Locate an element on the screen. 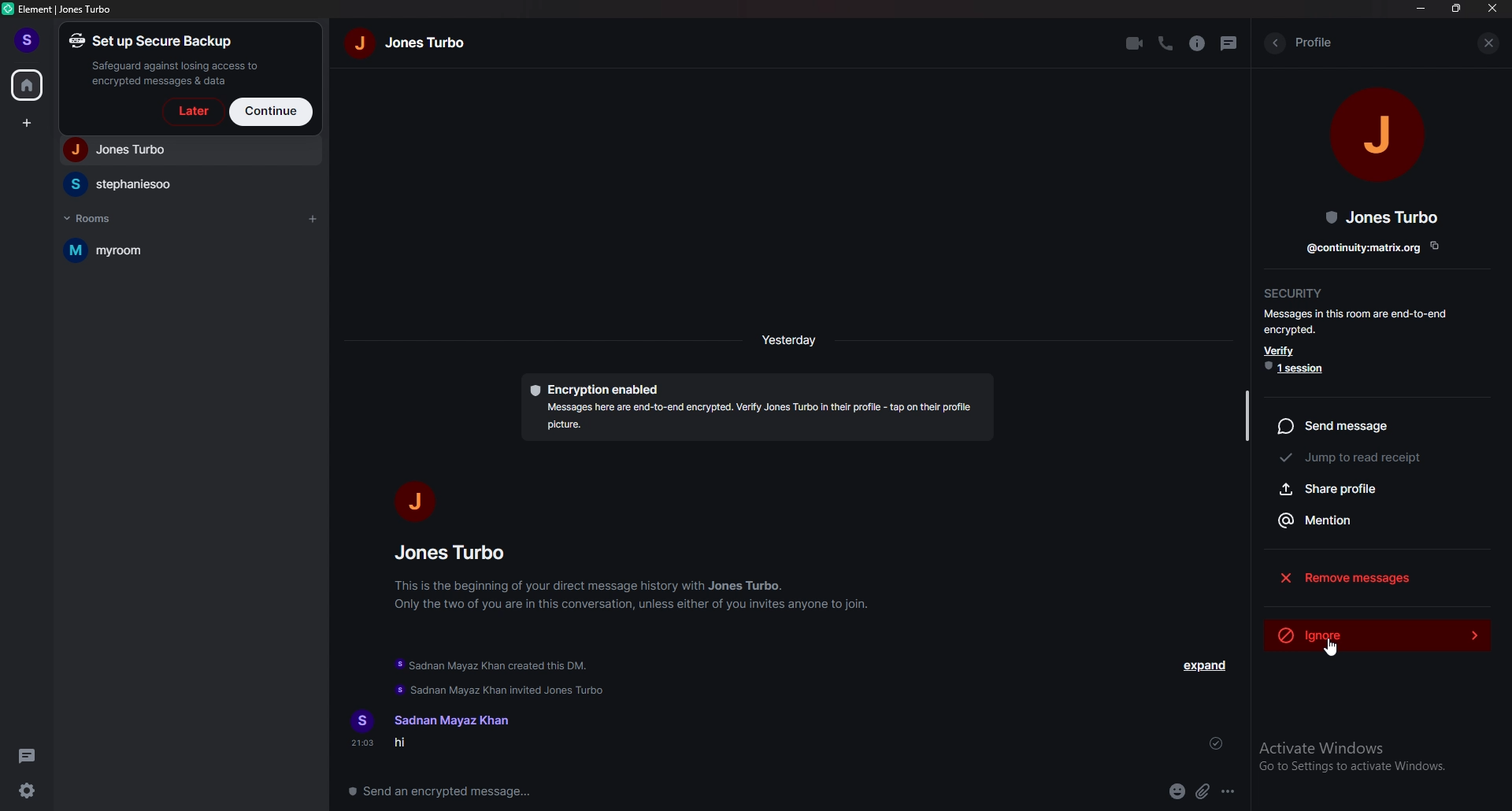 This screenshot has height=811, width=1512. element is located at coordinates (60, 9).